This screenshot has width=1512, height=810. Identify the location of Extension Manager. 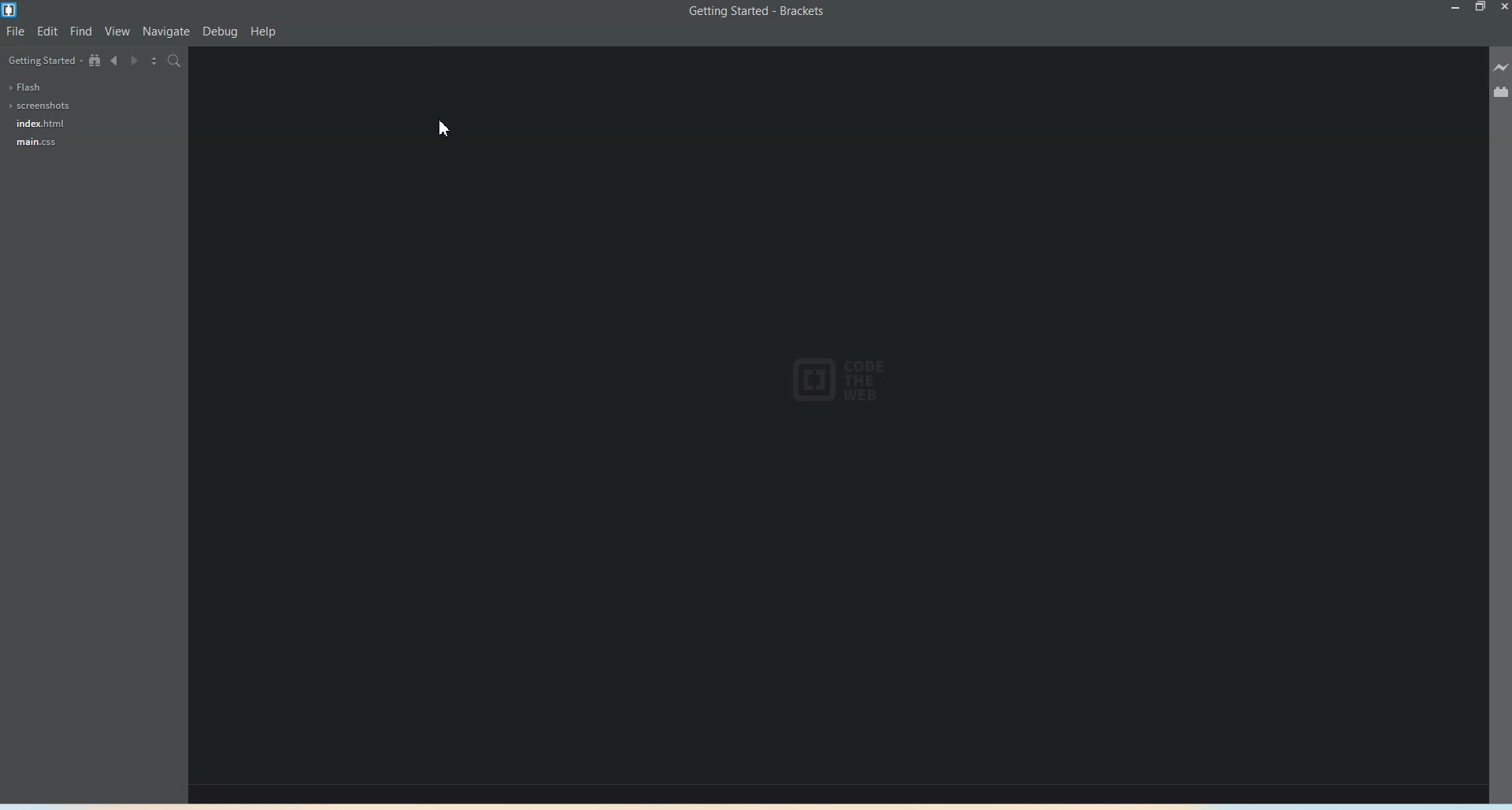
(1501, 92).